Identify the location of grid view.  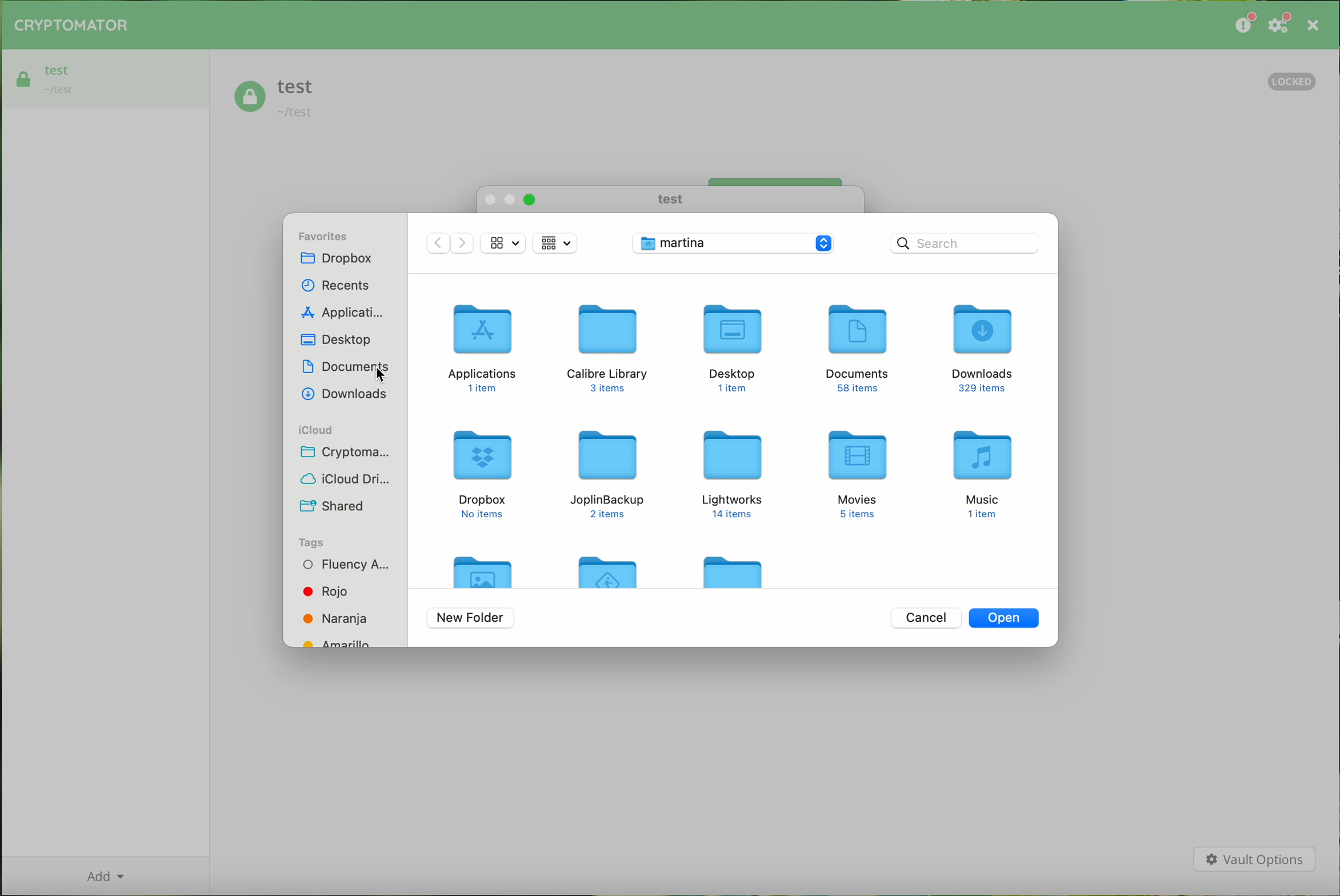
(555, 243).